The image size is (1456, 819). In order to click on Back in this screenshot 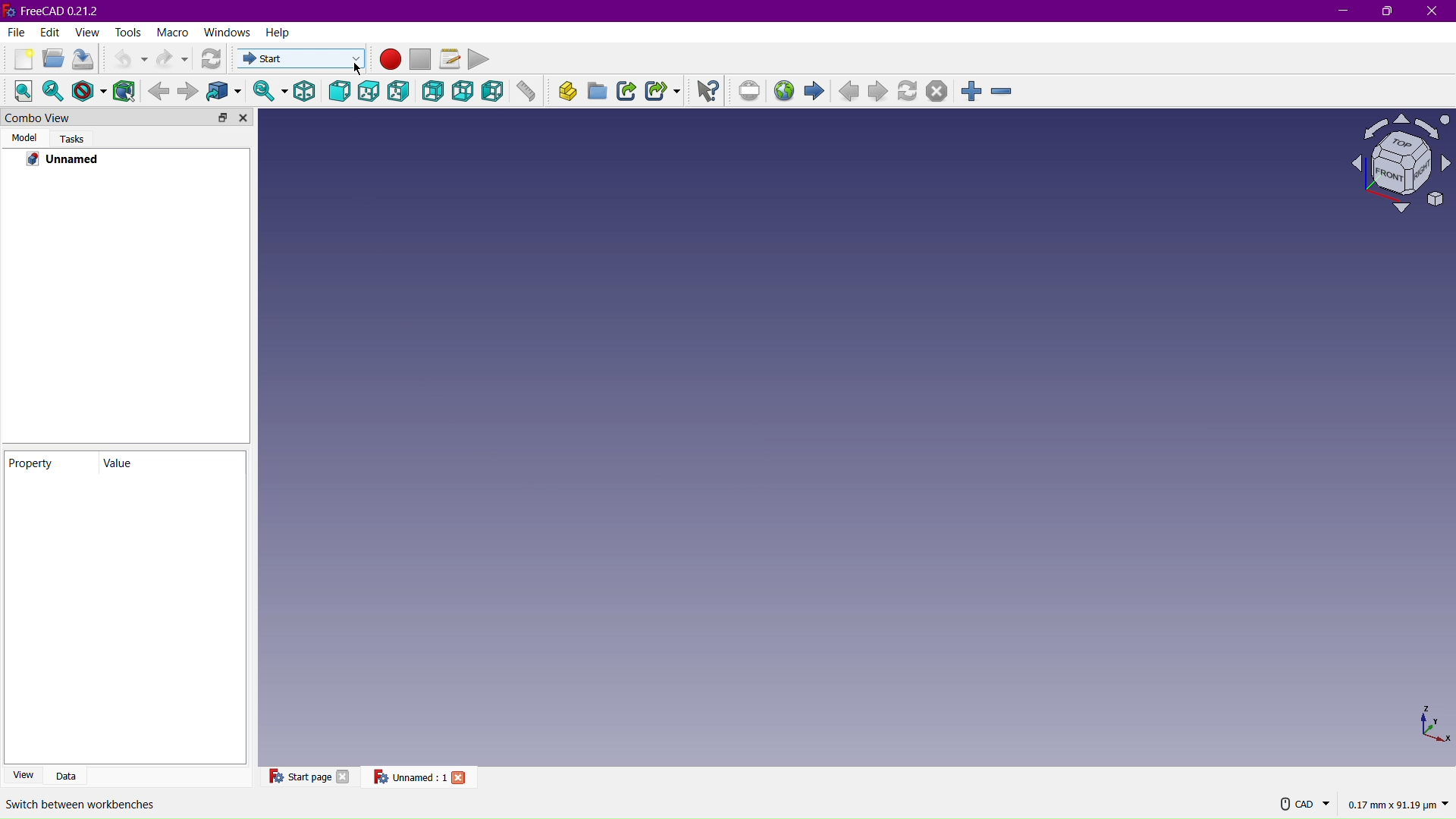, I will do `click(433, 93)`.